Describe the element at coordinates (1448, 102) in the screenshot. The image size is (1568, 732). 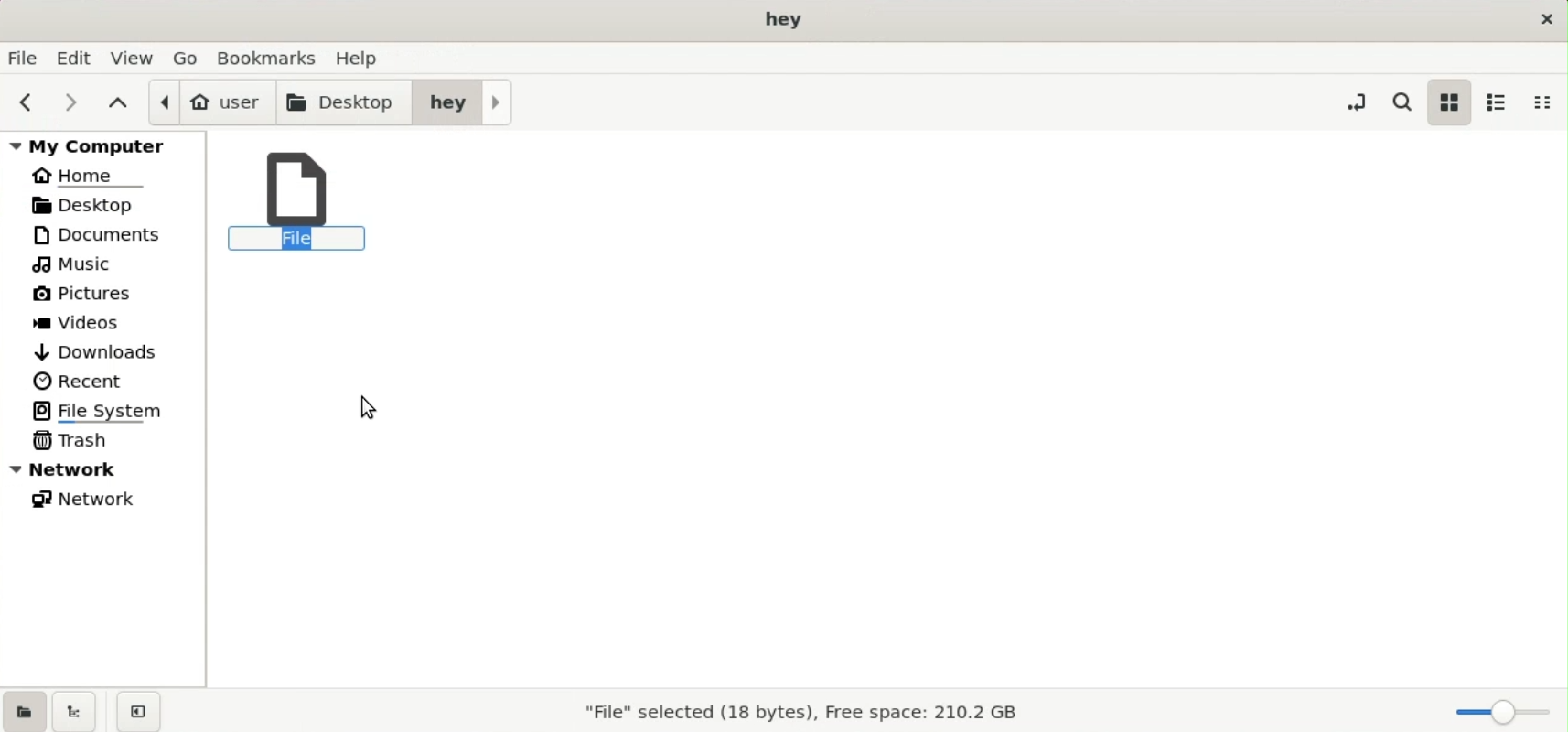
I see `icon view` at that location.